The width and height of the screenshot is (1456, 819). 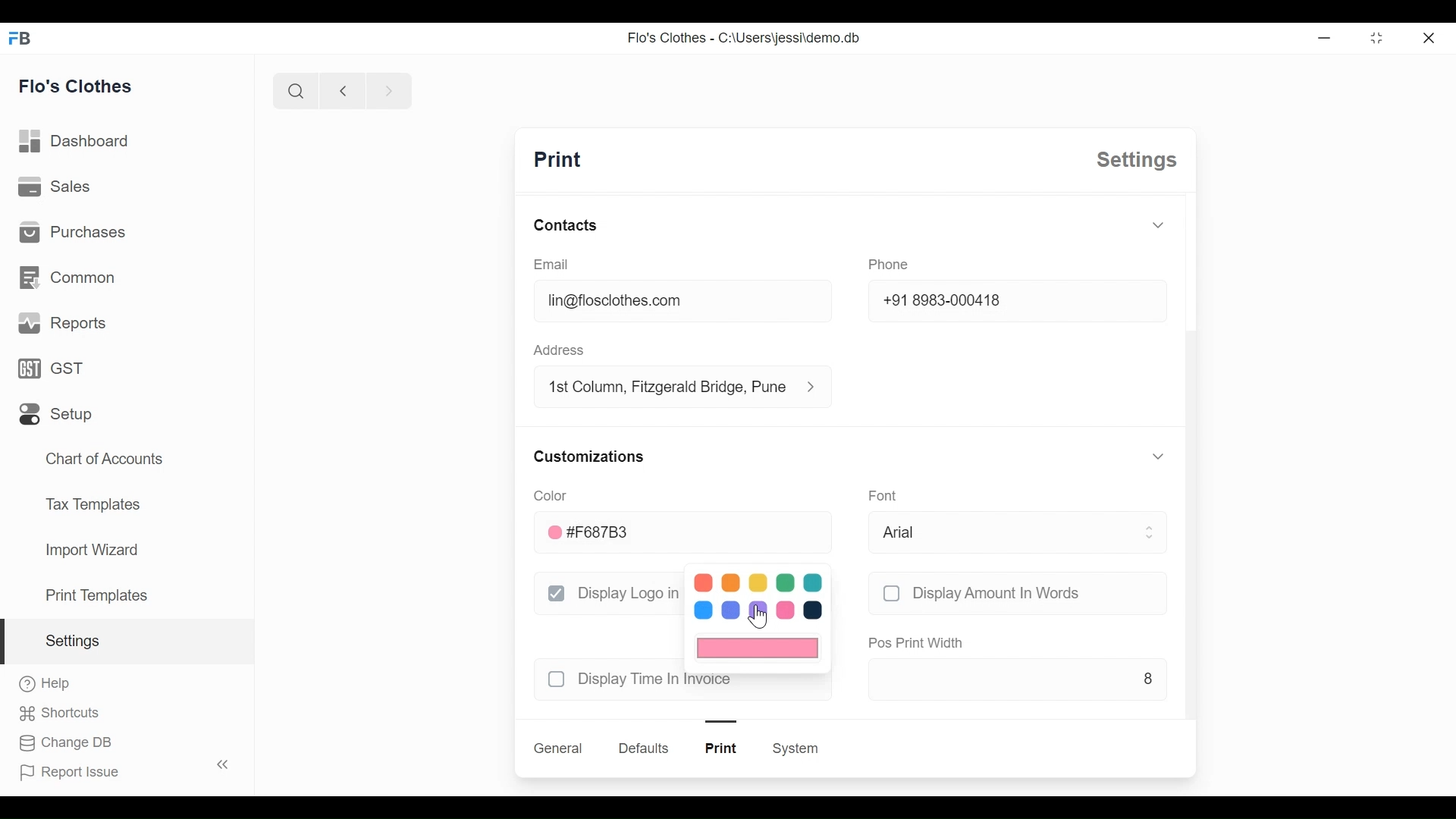 I want to click on previous, so click(x=343, y=90).